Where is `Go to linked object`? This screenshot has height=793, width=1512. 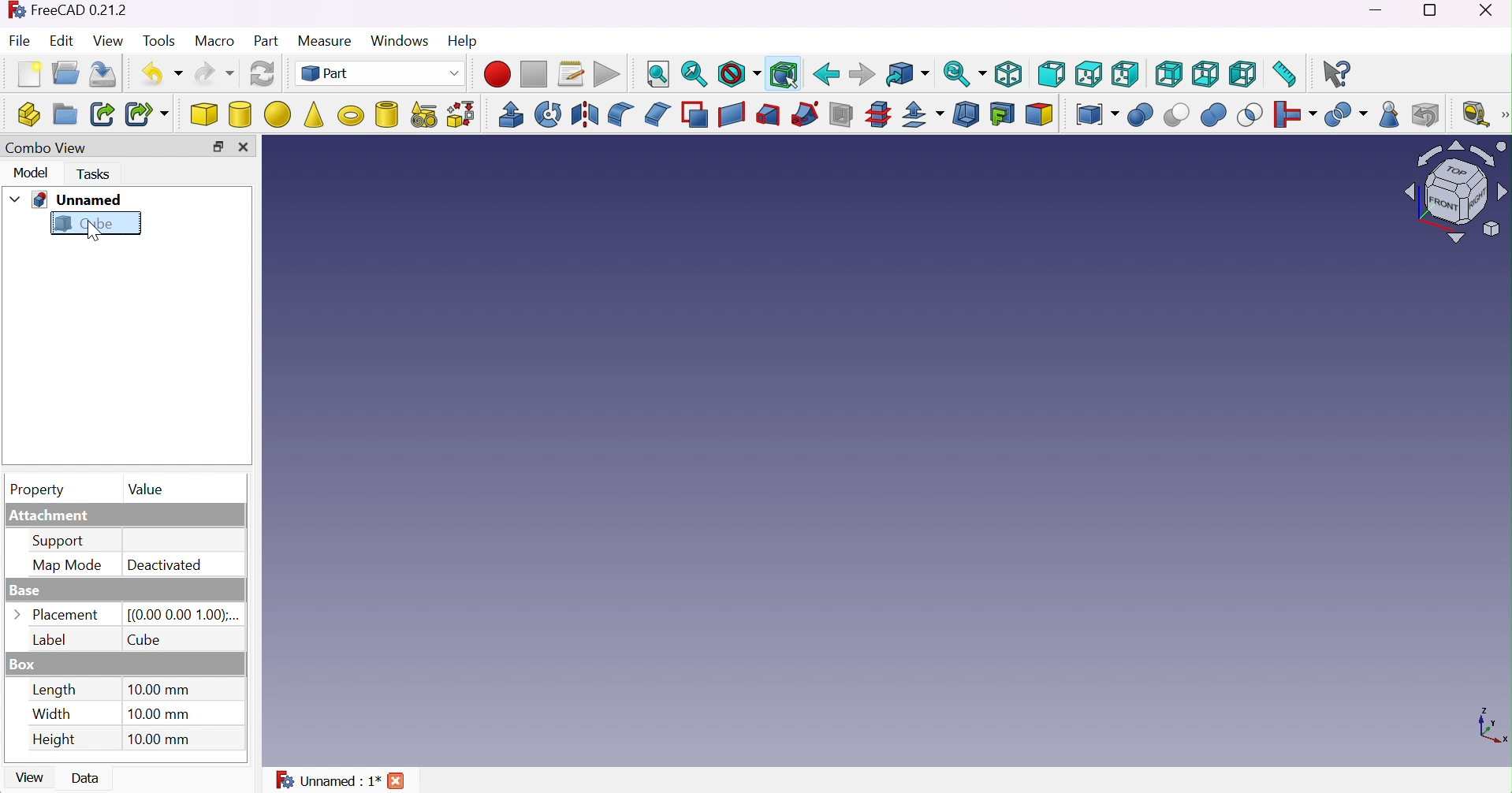 Go to linked object is located at coordinates (906, 74).